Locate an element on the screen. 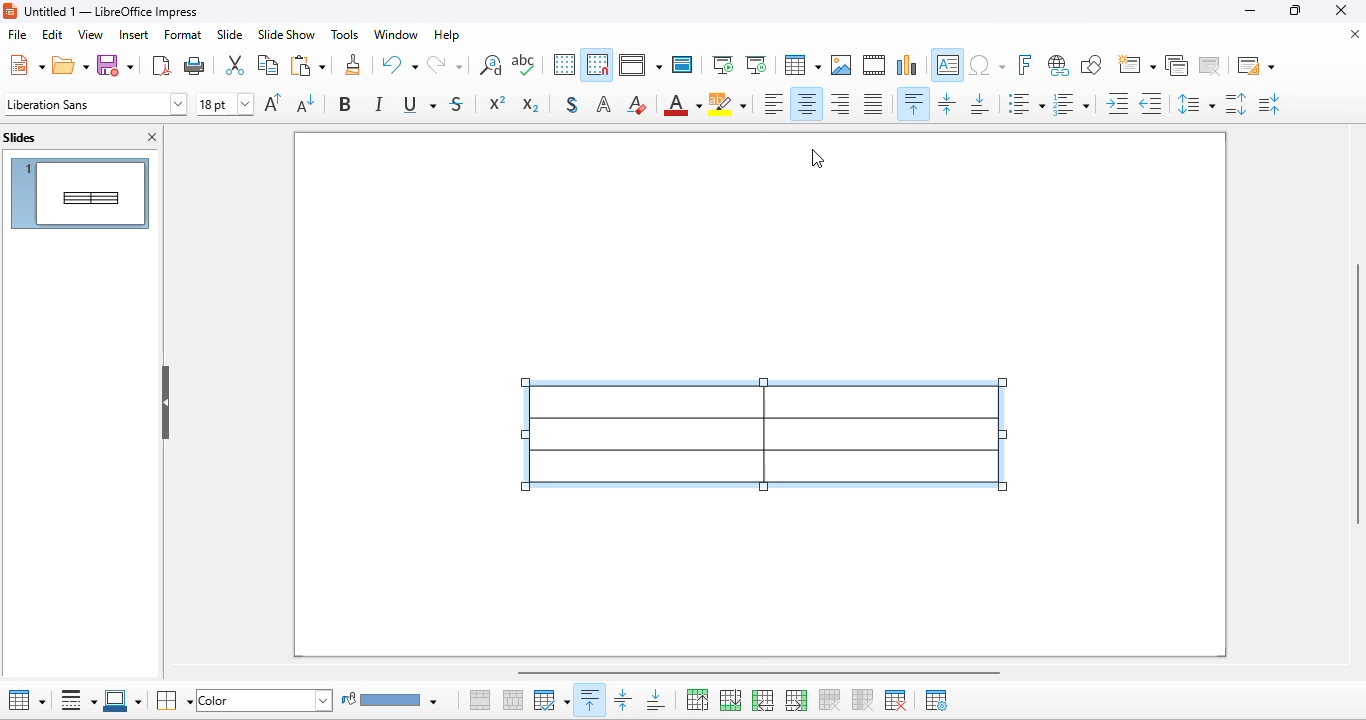  untitled 1 - libreoffice impress is located at coordinates (112, 11).